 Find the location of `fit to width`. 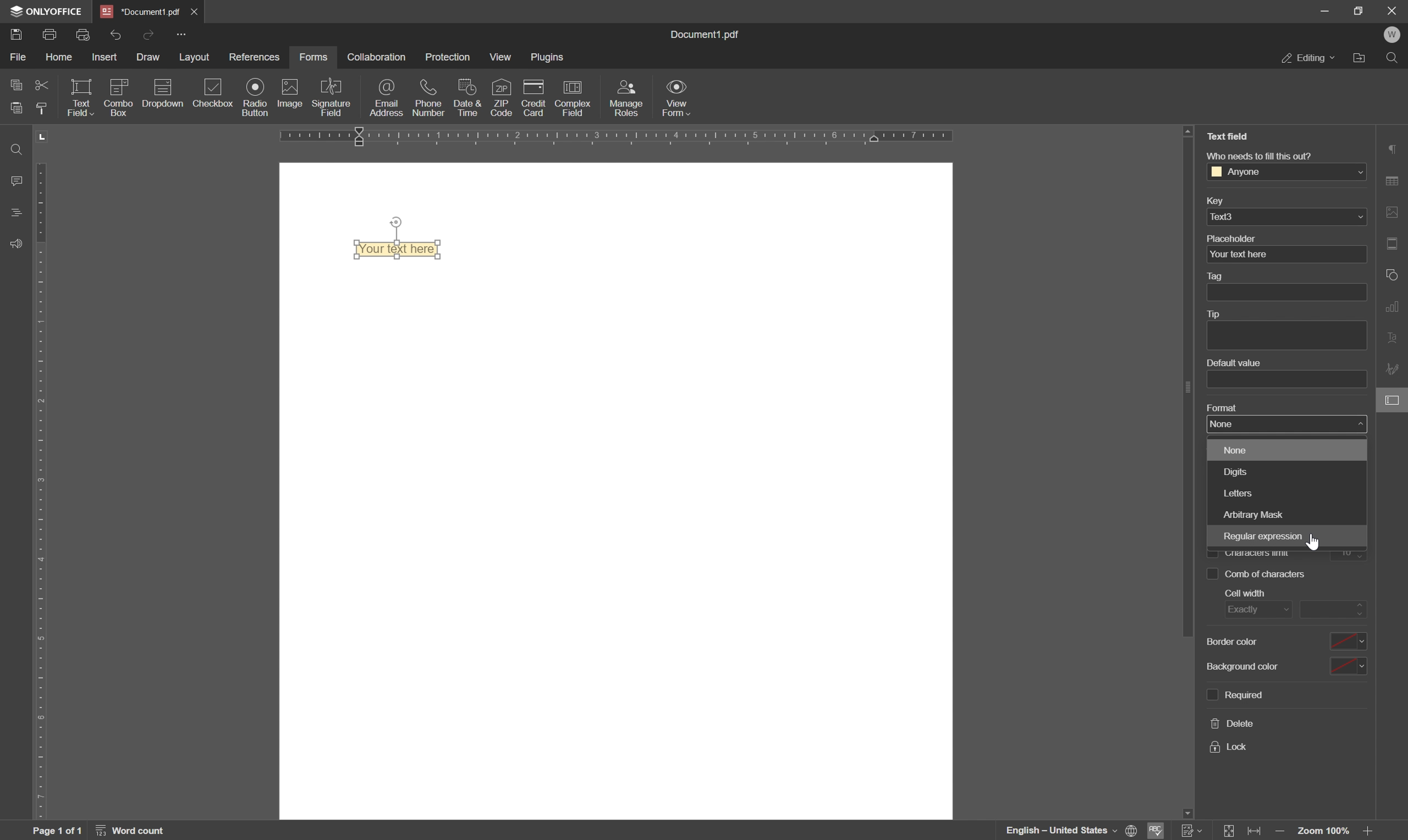

fit to width is located at coordinates (1257, 832).